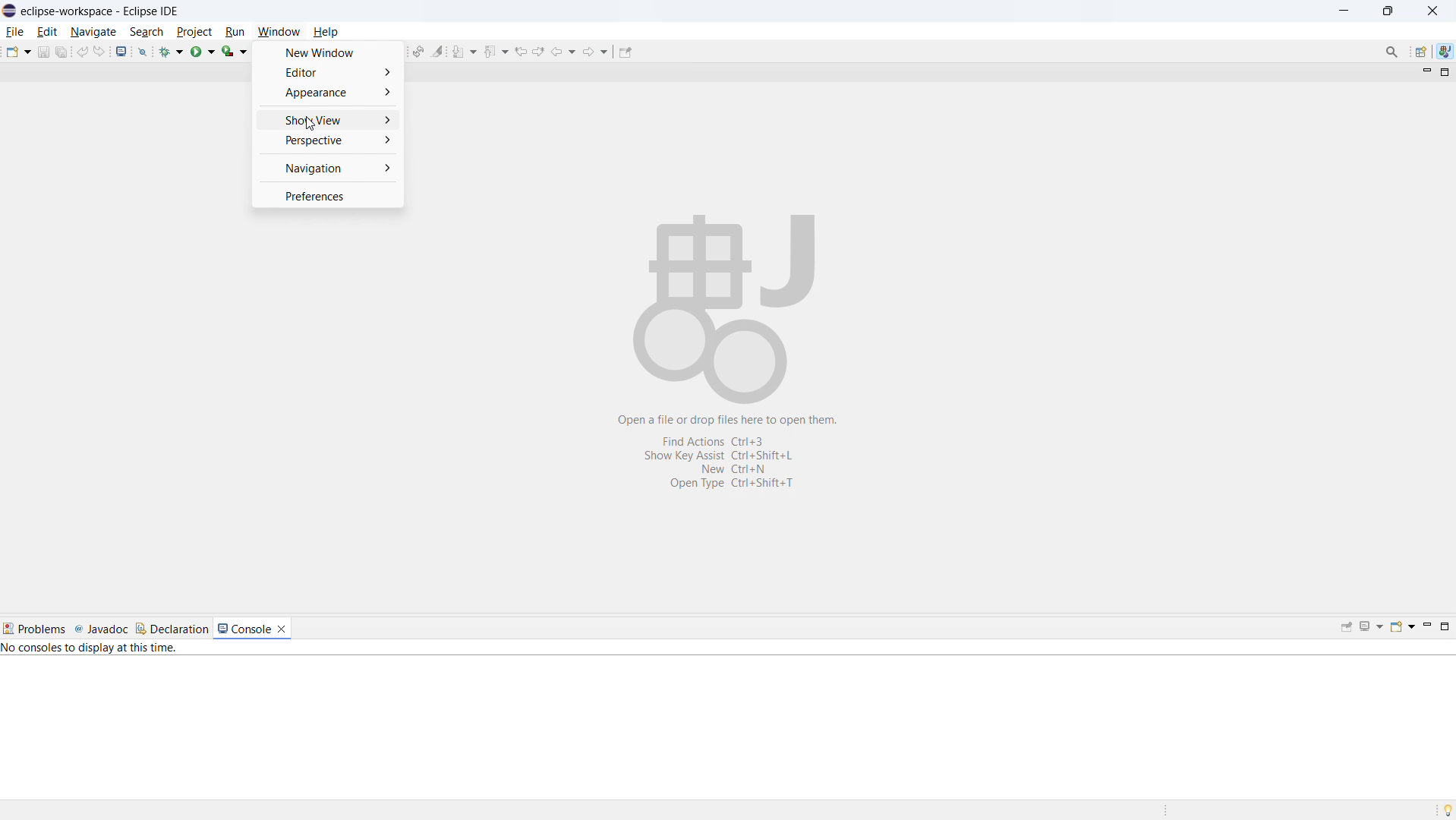 The height and width of the screenshot is (820, 1456). Describe the element at coordinates (17, 52) in the screenshot. I see `new` at that location.